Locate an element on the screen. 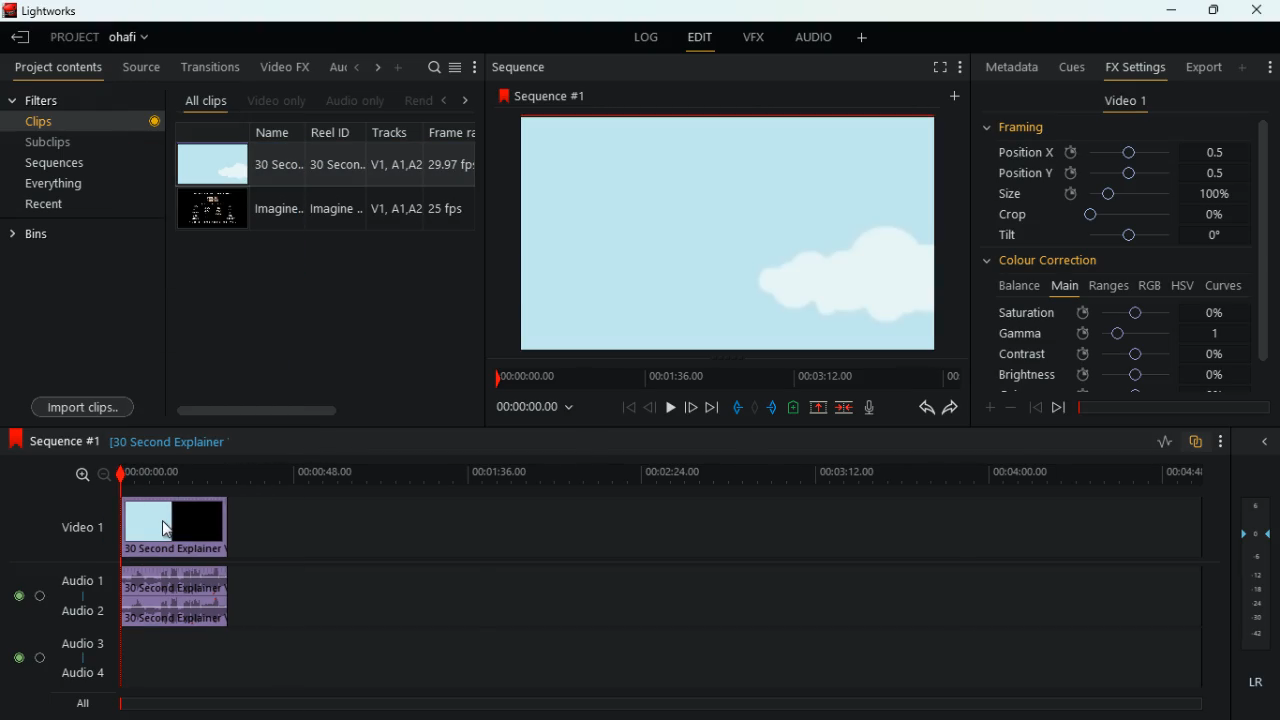 The image size is (1280, 720). fx settings is located at coordinates (1133, 67).